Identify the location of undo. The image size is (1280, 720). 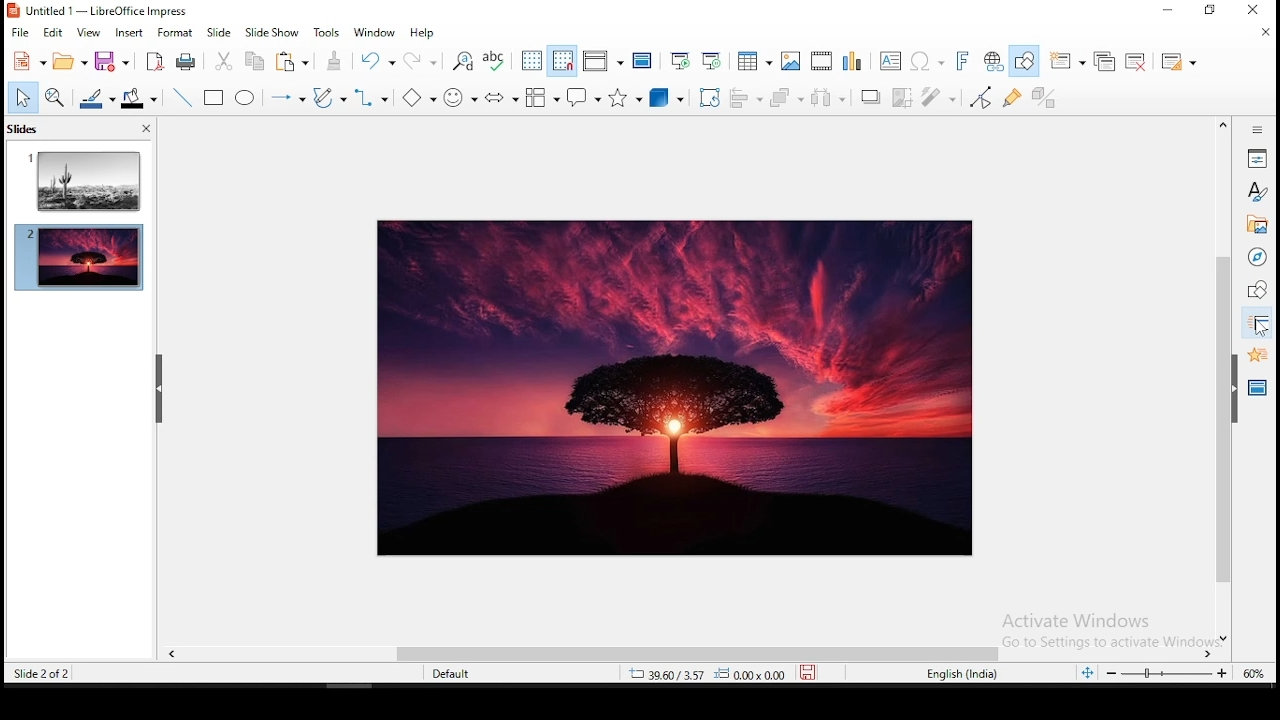
(379, 63).